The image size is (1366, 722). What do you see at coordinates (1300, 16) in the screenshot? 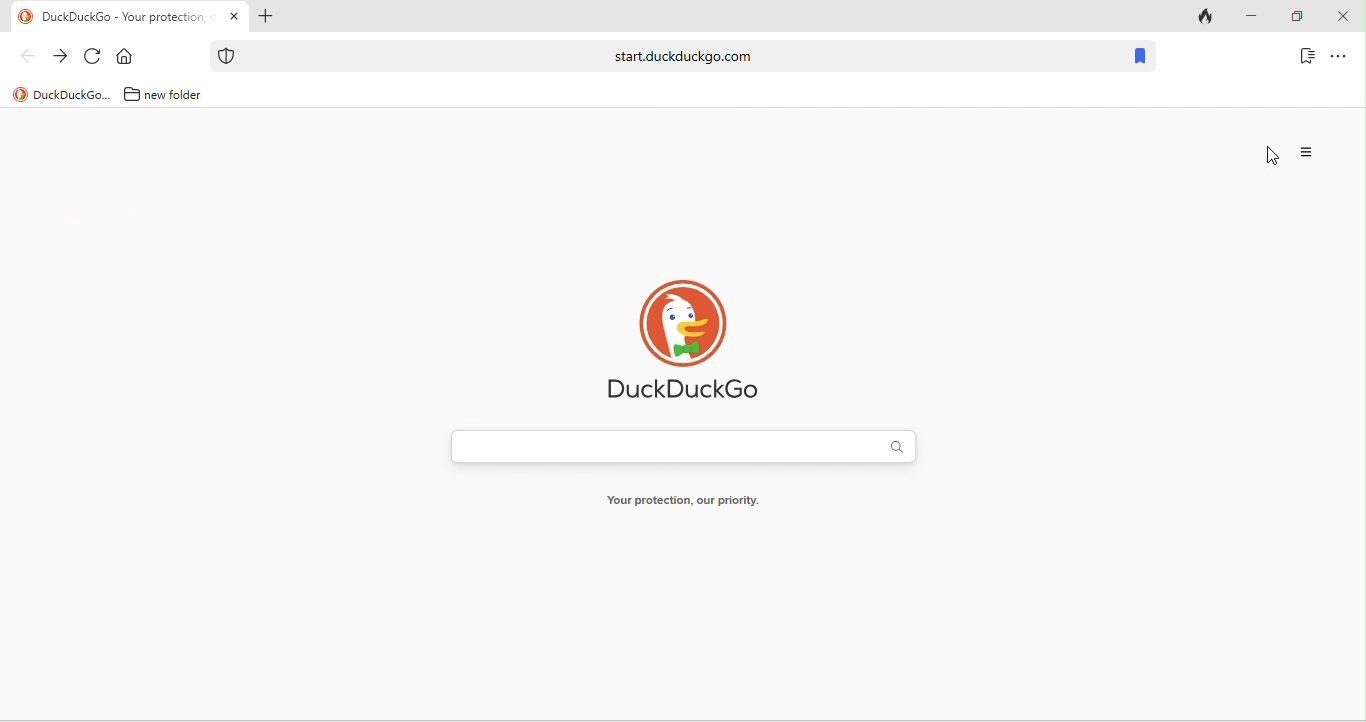
I see `maximize` at bounding box center [1300, 16].